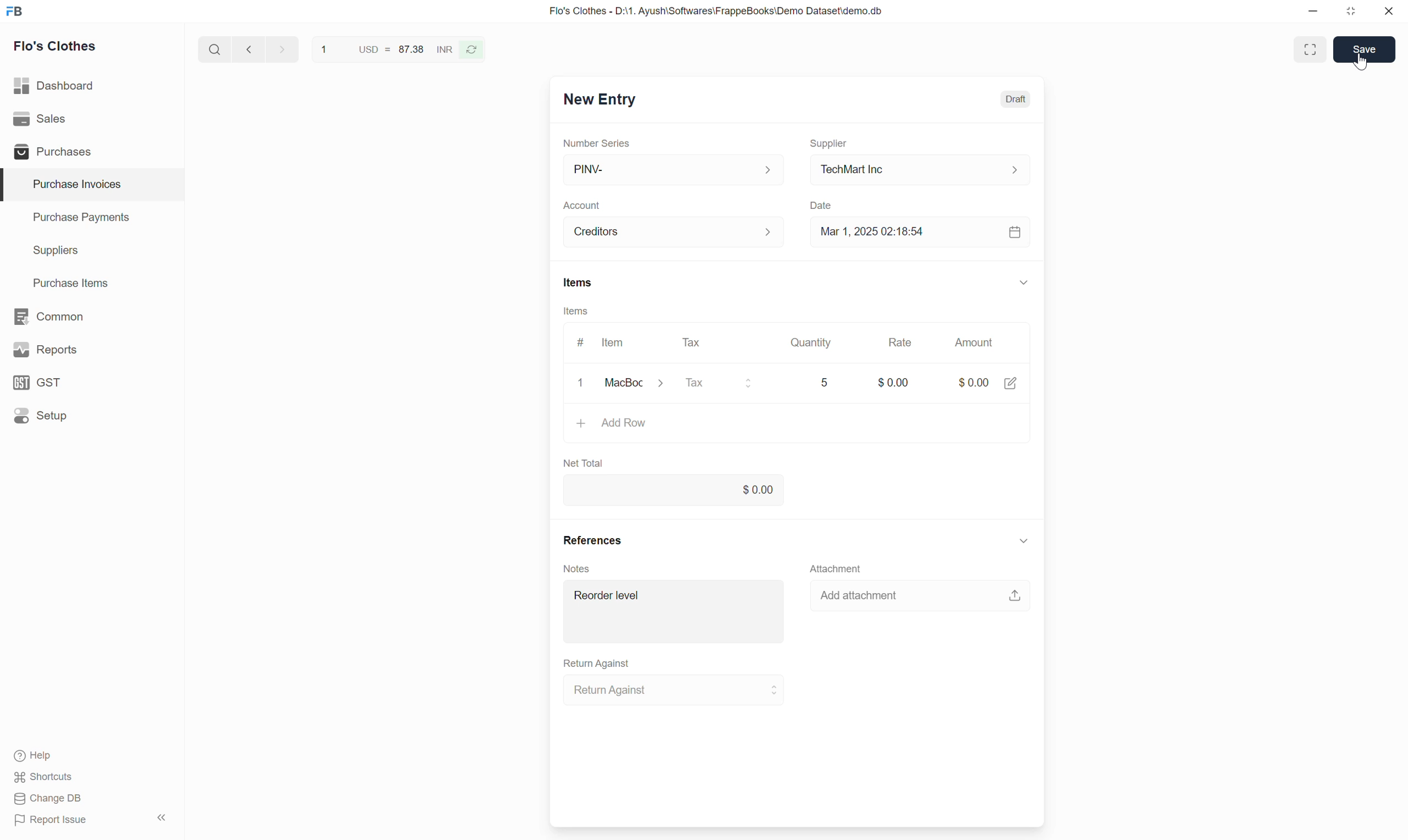 The width and height of the screenshot is (1408, 840). I want to click on Reorder level, so click(675, 611).